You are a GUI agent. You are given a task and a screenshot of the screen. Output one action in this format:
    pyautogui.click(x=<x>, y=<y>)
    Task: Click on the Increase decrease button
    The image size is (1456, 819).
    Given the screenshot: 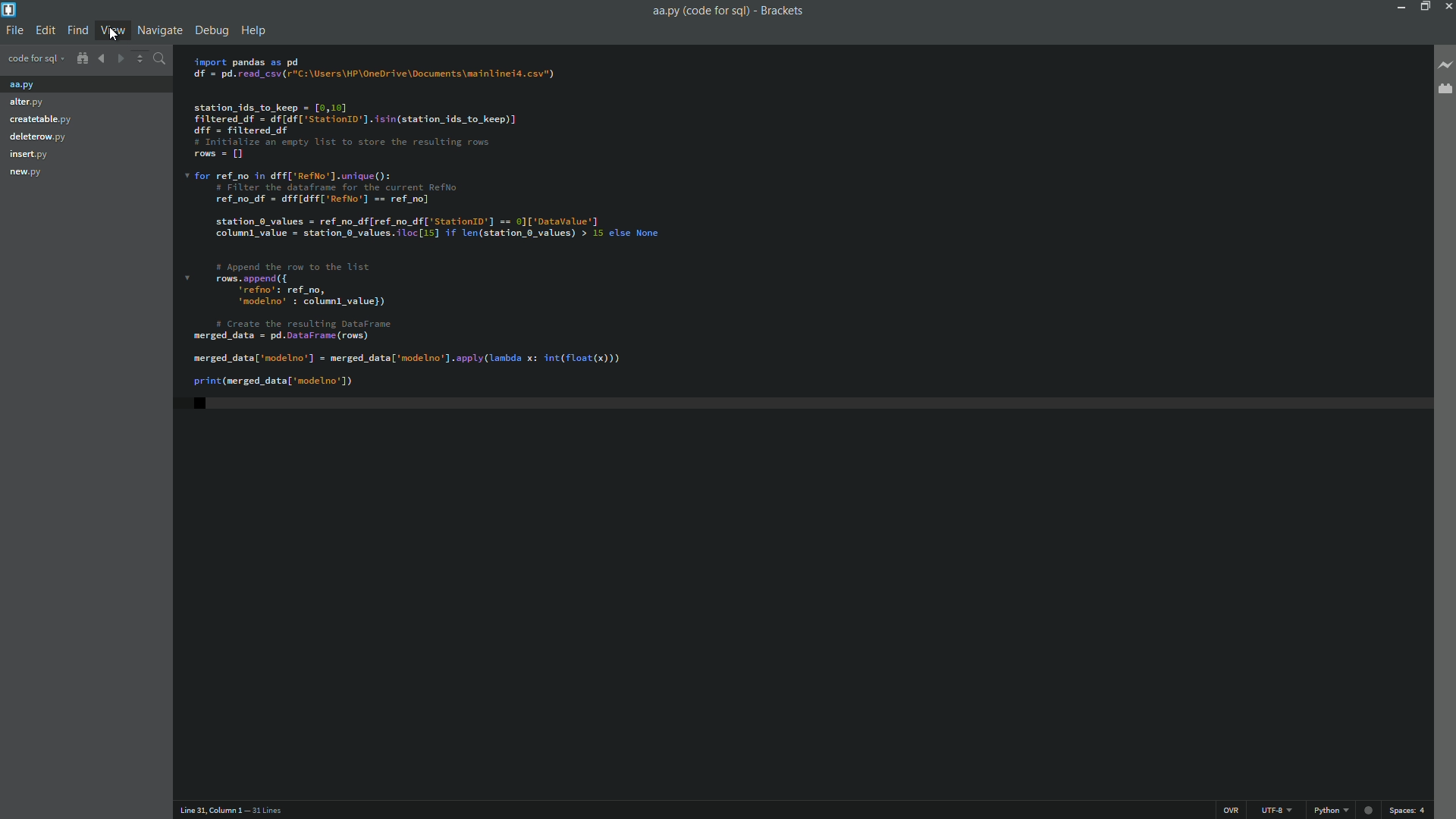 What is the action you would take?
    pyautogui.click(x=141, y=58)
    